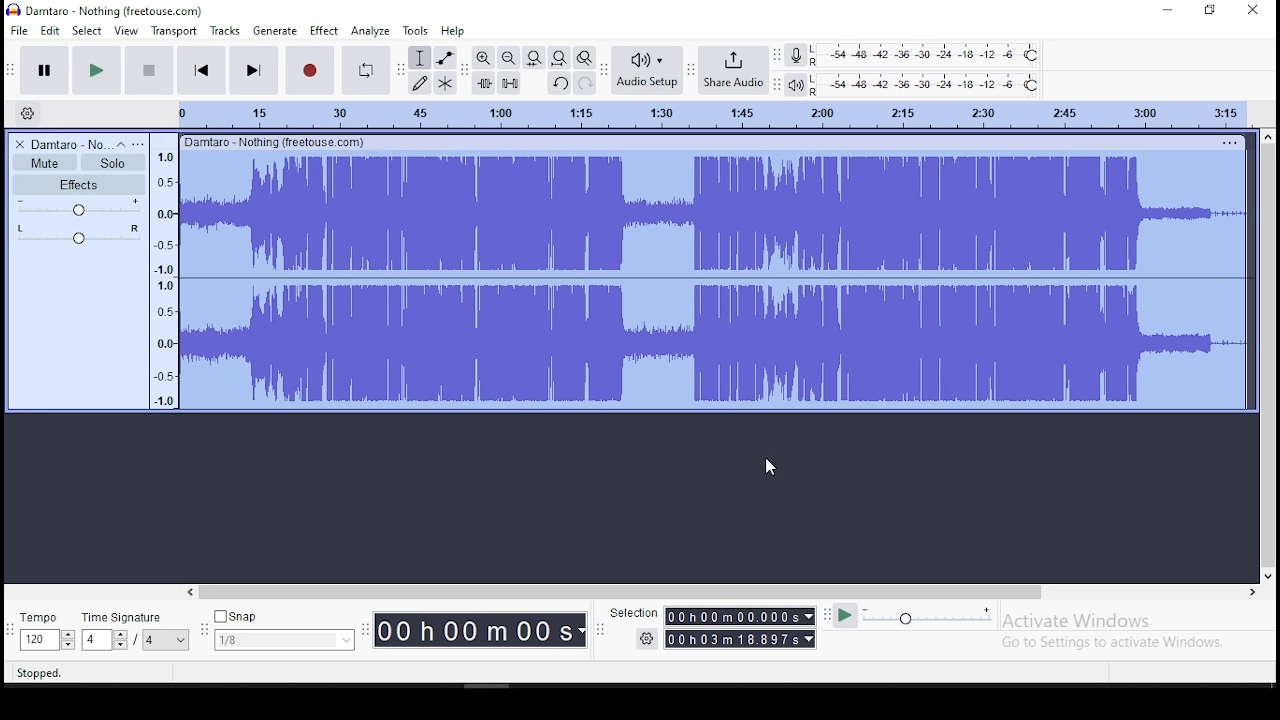 Image resolution: width=1280 pixels, height=720 pixels. Describe the element at coordinates (712, 280) in the screenshot. I see `audio clip` at that location.